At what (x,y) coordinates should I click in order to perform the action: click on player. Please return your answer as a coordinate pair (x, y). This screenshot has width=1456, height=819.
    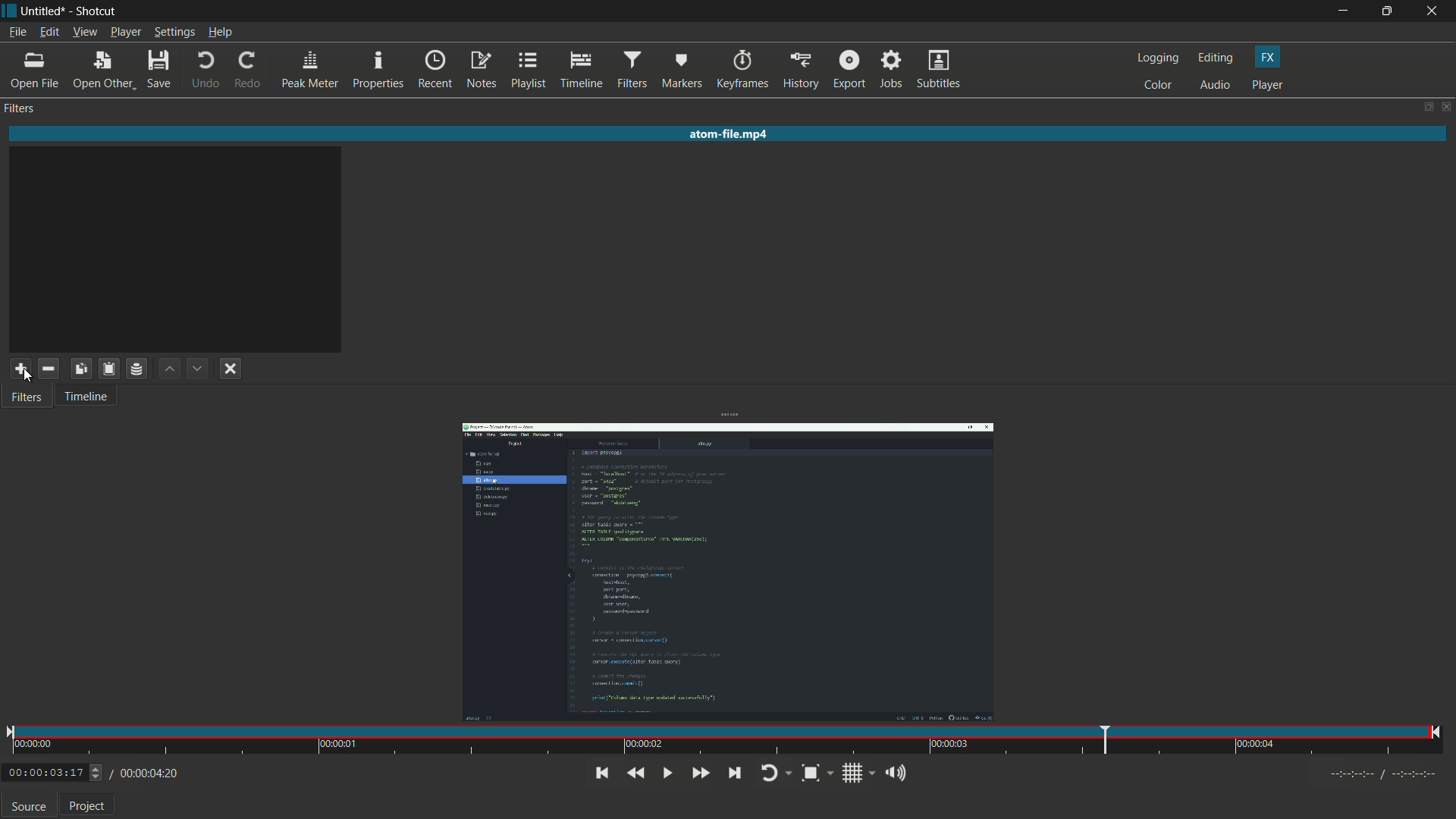
    Looking at the image, I should click on (1267, 85).